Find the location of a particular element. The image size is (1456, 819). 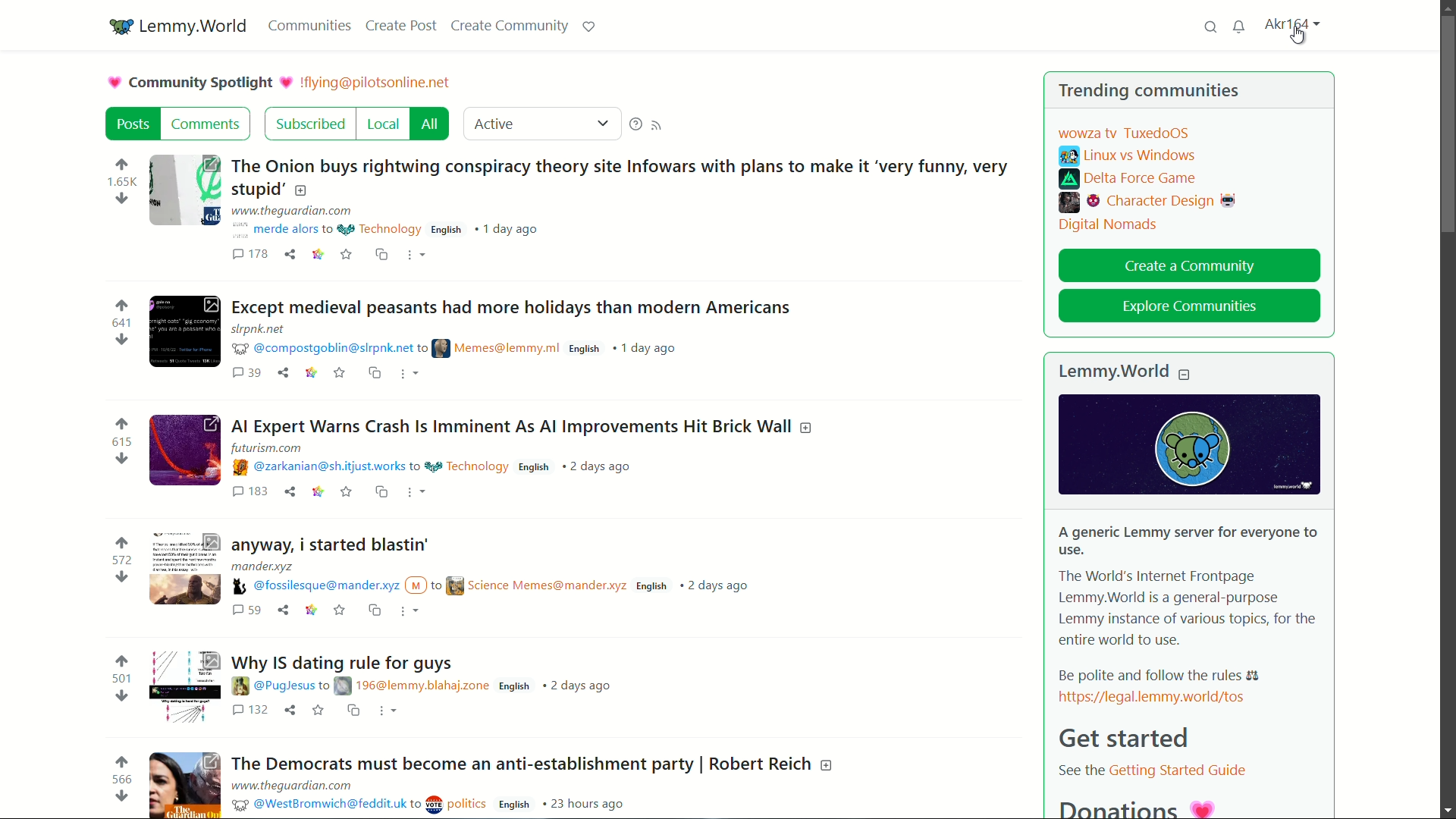

save is located at coordinates (316, 709).